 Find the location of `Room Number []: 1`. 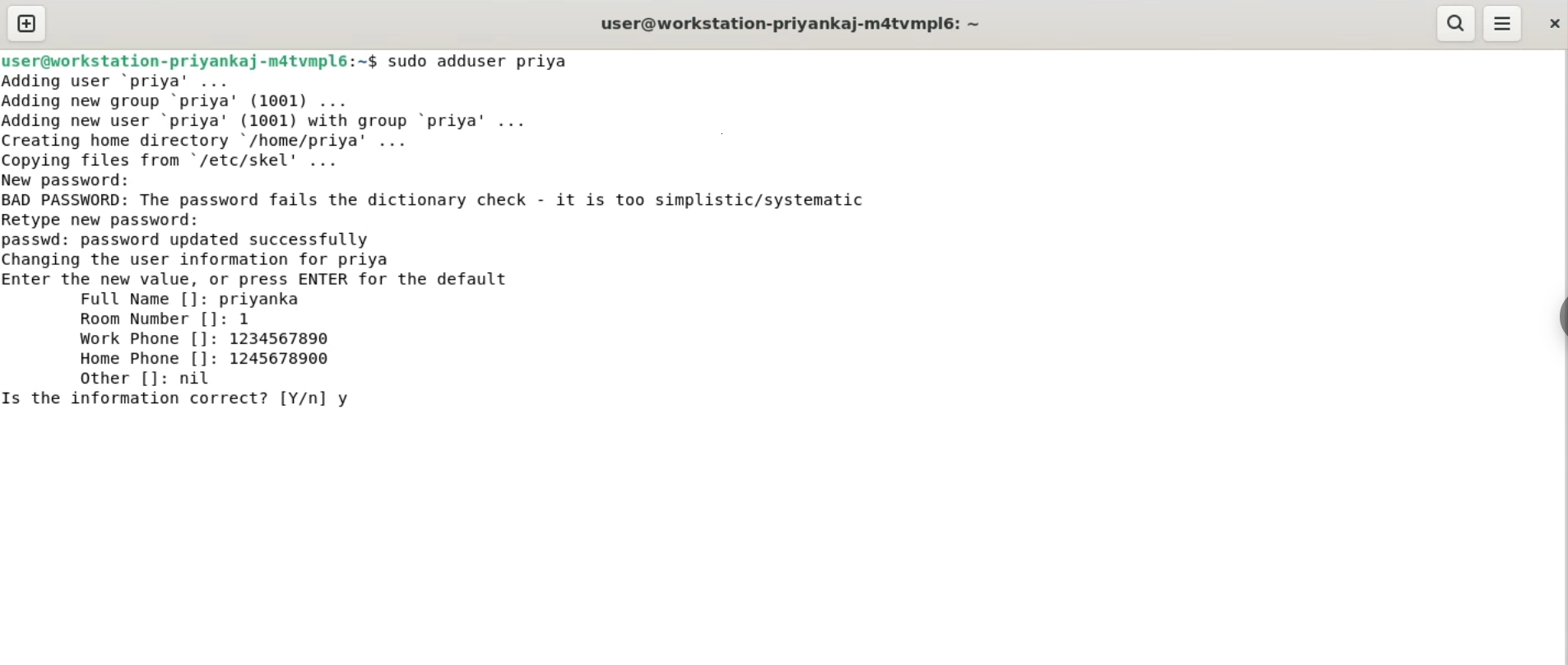

Room Number []: 1 is located at coordinates (165, 319).